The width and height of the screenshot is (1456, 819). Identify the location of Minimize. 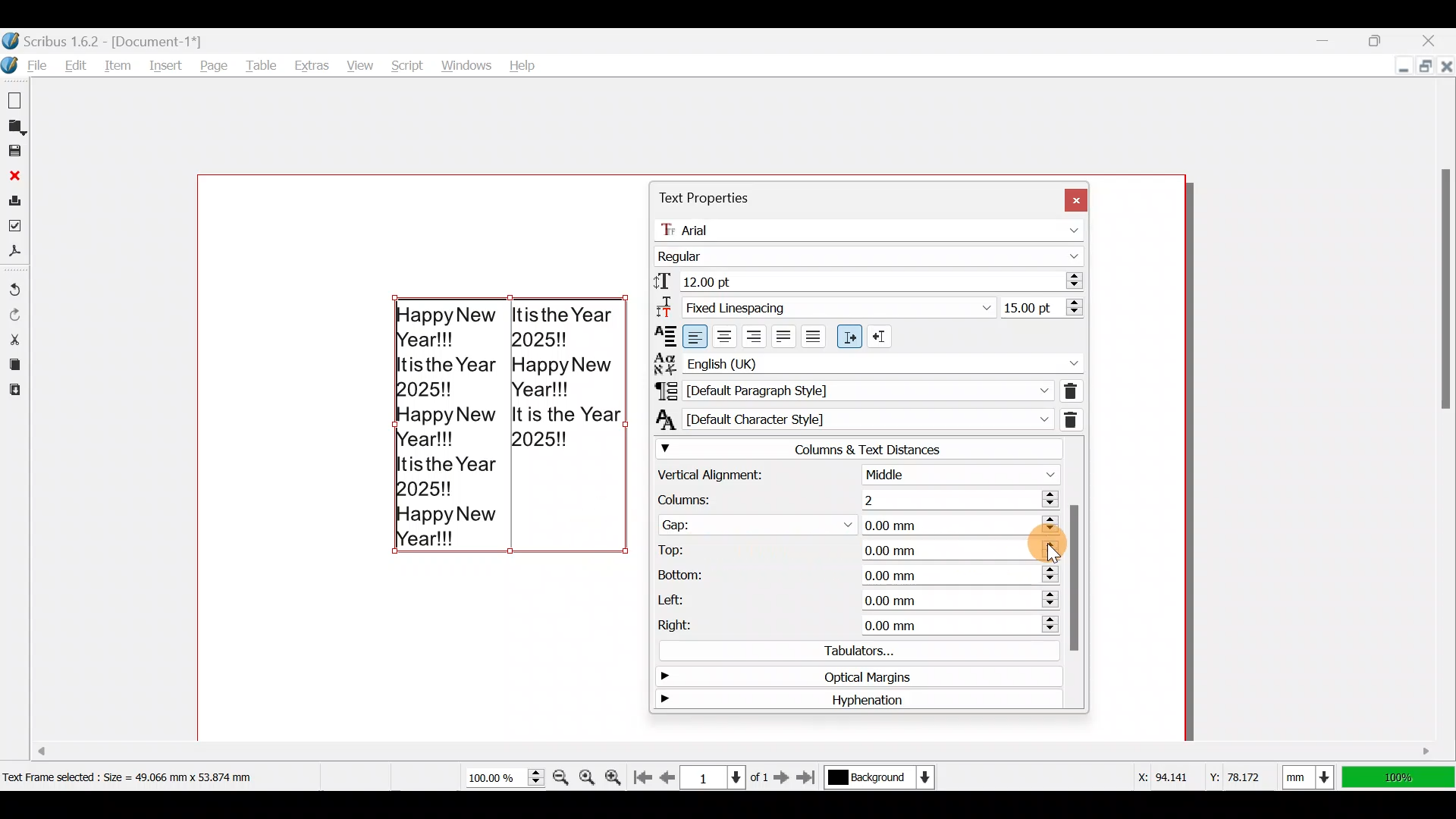
(1328, 40).